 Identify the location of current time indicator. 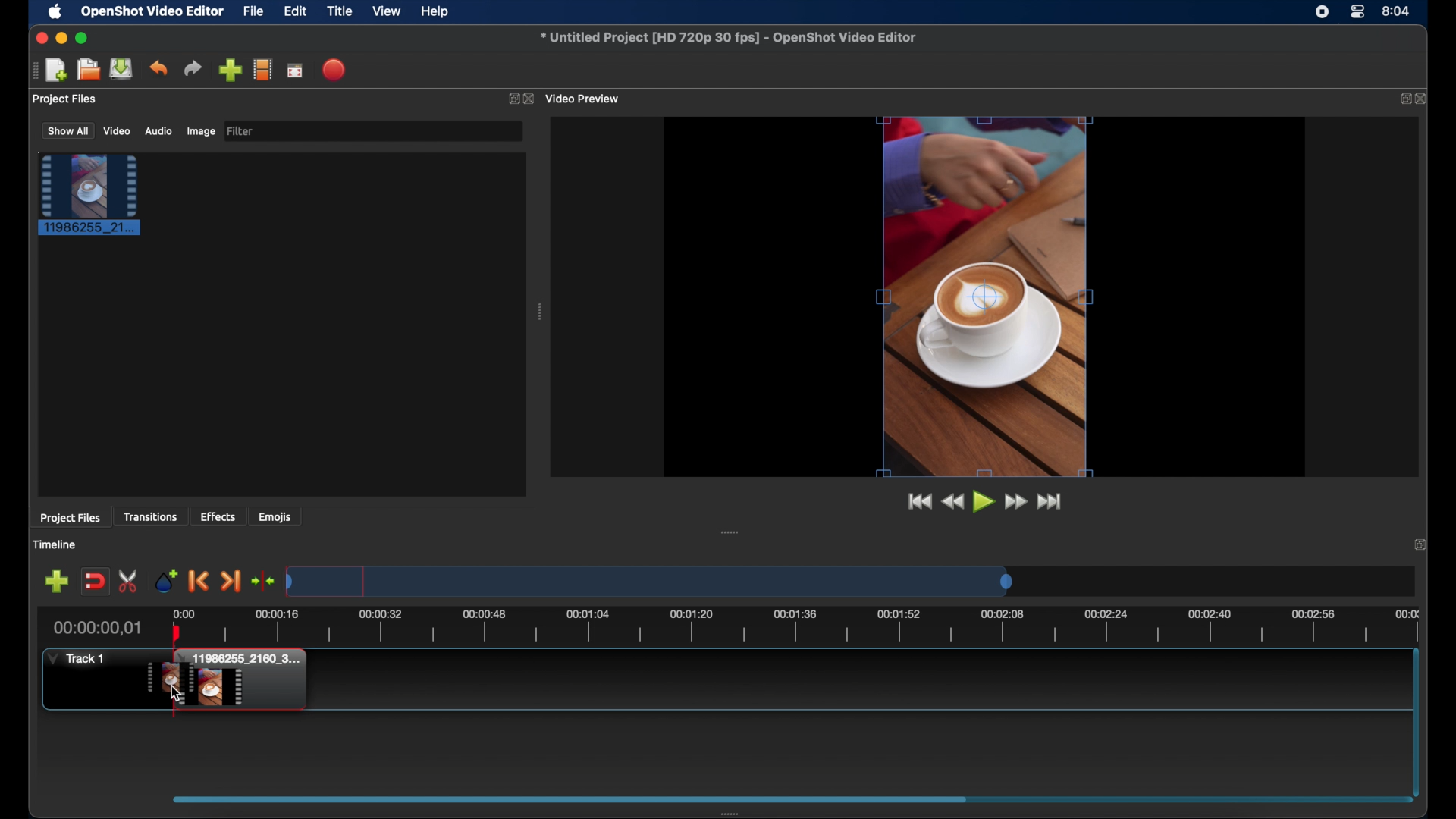
(98, 628).